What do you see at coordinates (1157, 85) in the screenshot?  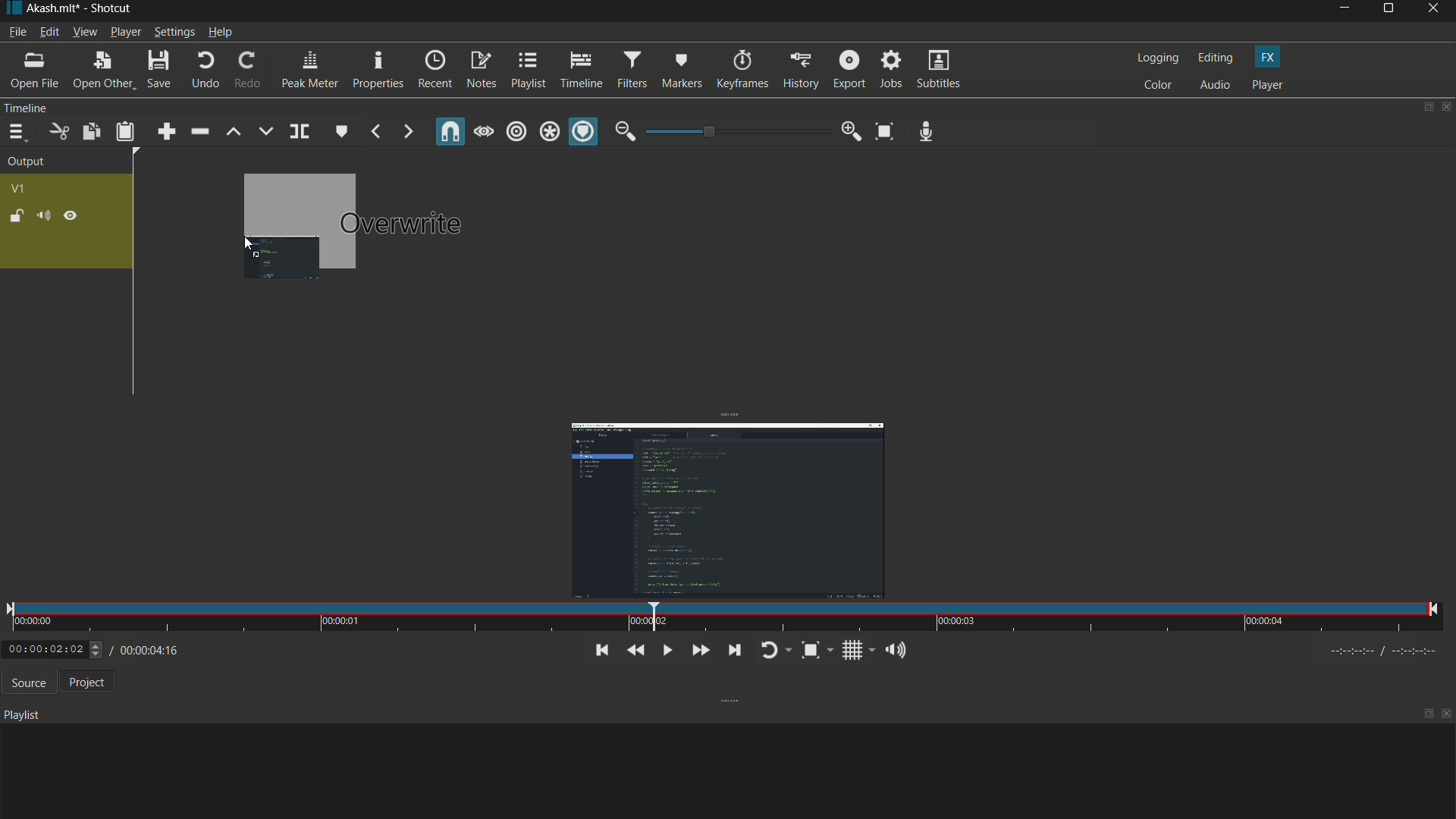 I see `color` at bounding box center [1157, 85].